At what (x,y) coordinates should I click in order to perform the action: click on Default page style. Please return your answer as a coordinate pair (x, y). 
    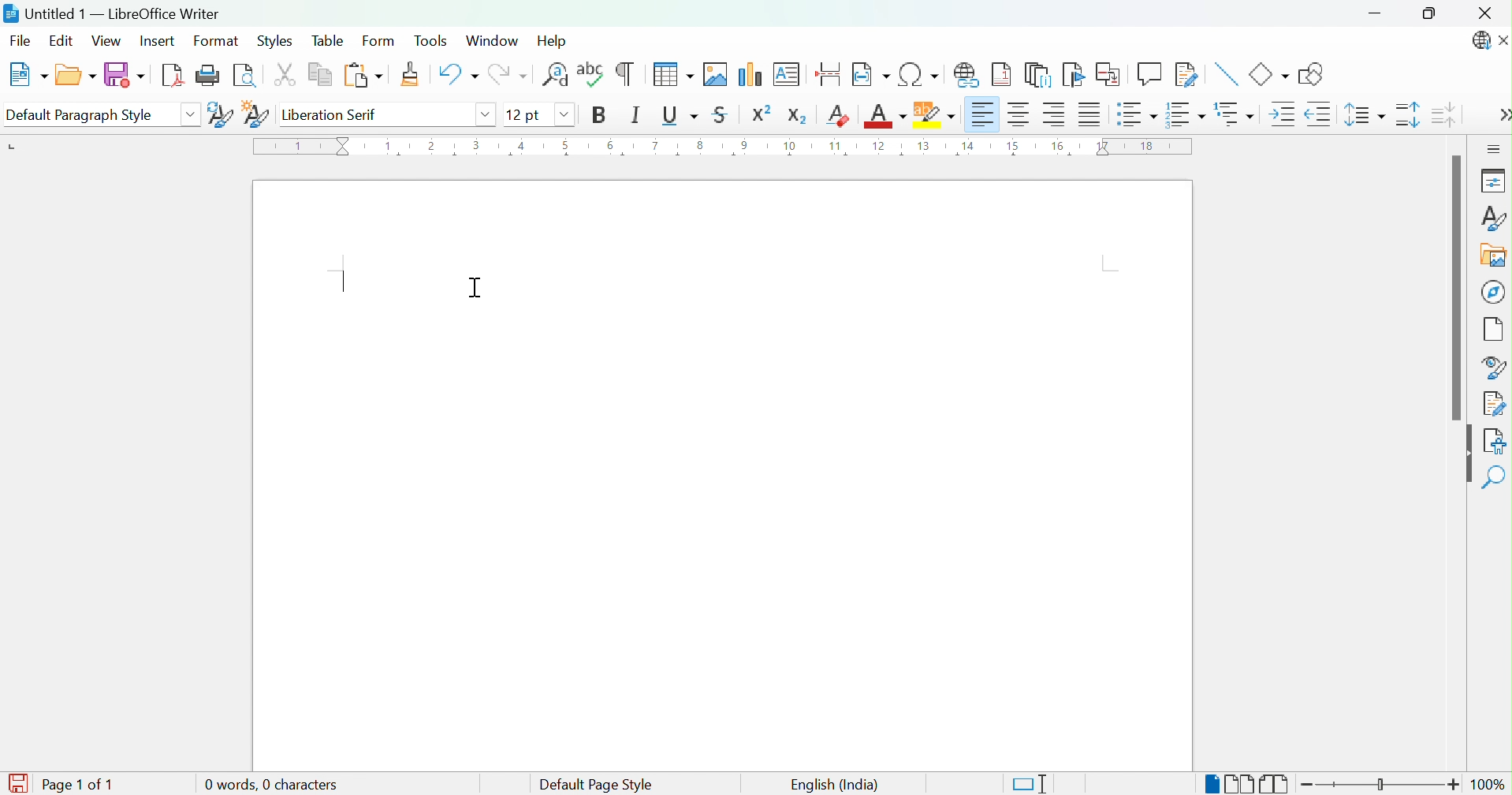
    Looking at the image, I should click on (594, 785).